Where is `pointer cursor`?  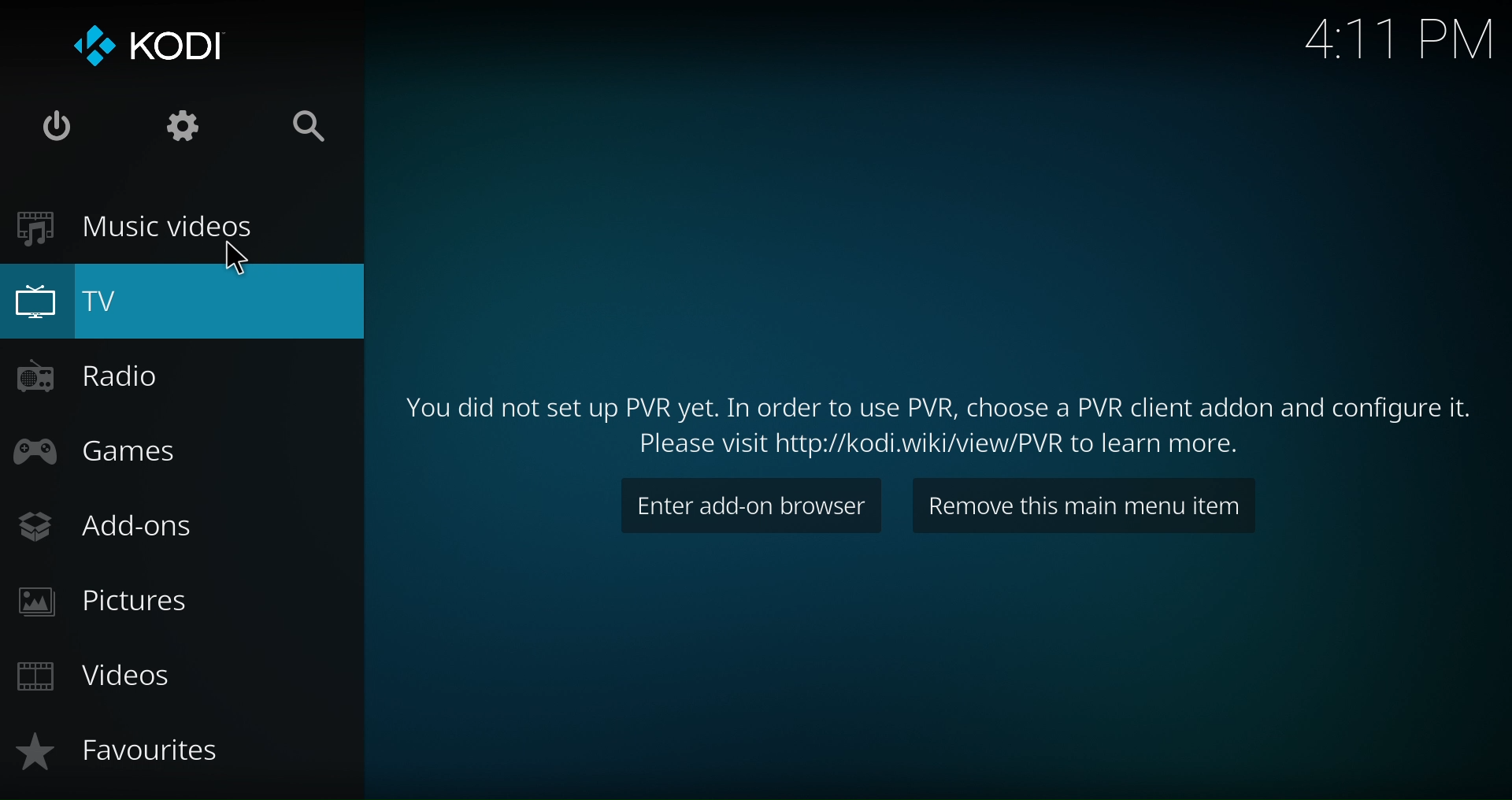
pointer cursor is located at coordinates (240, 263).